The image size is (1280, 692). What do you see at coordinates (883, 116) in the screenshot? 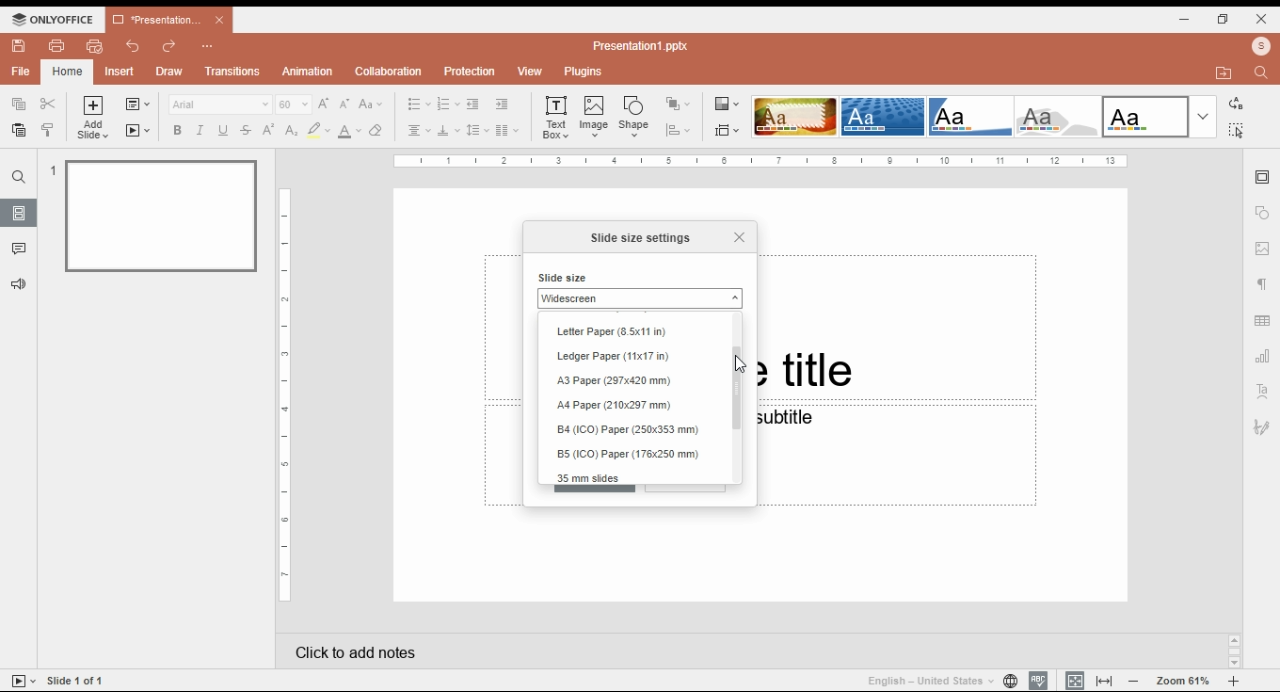
I see `slide them option` at bounding box center [883, 116].